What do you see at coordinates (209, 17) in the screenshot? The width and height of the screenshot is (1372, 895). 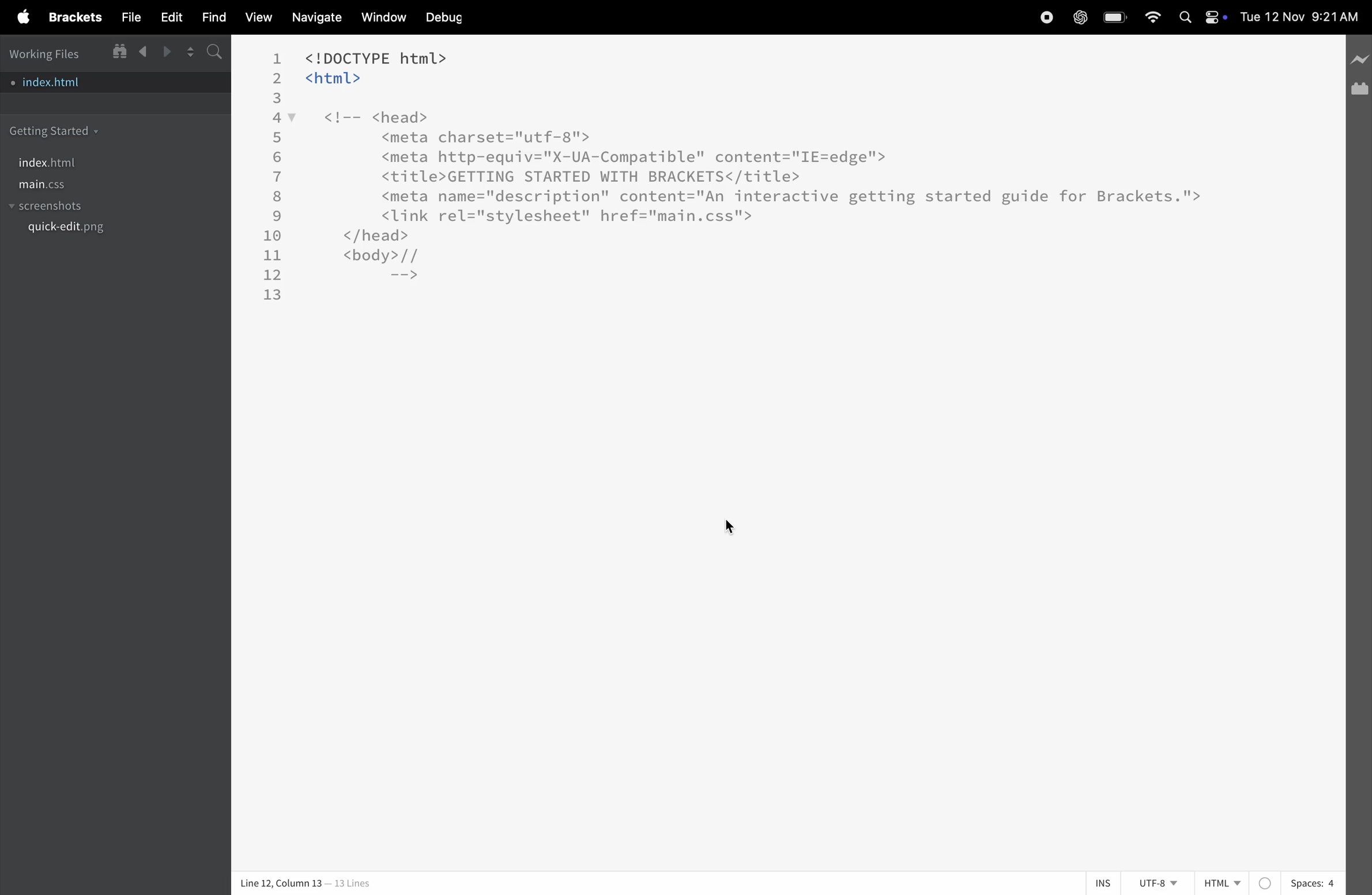 I see `find` at bounding box center [209, 17].